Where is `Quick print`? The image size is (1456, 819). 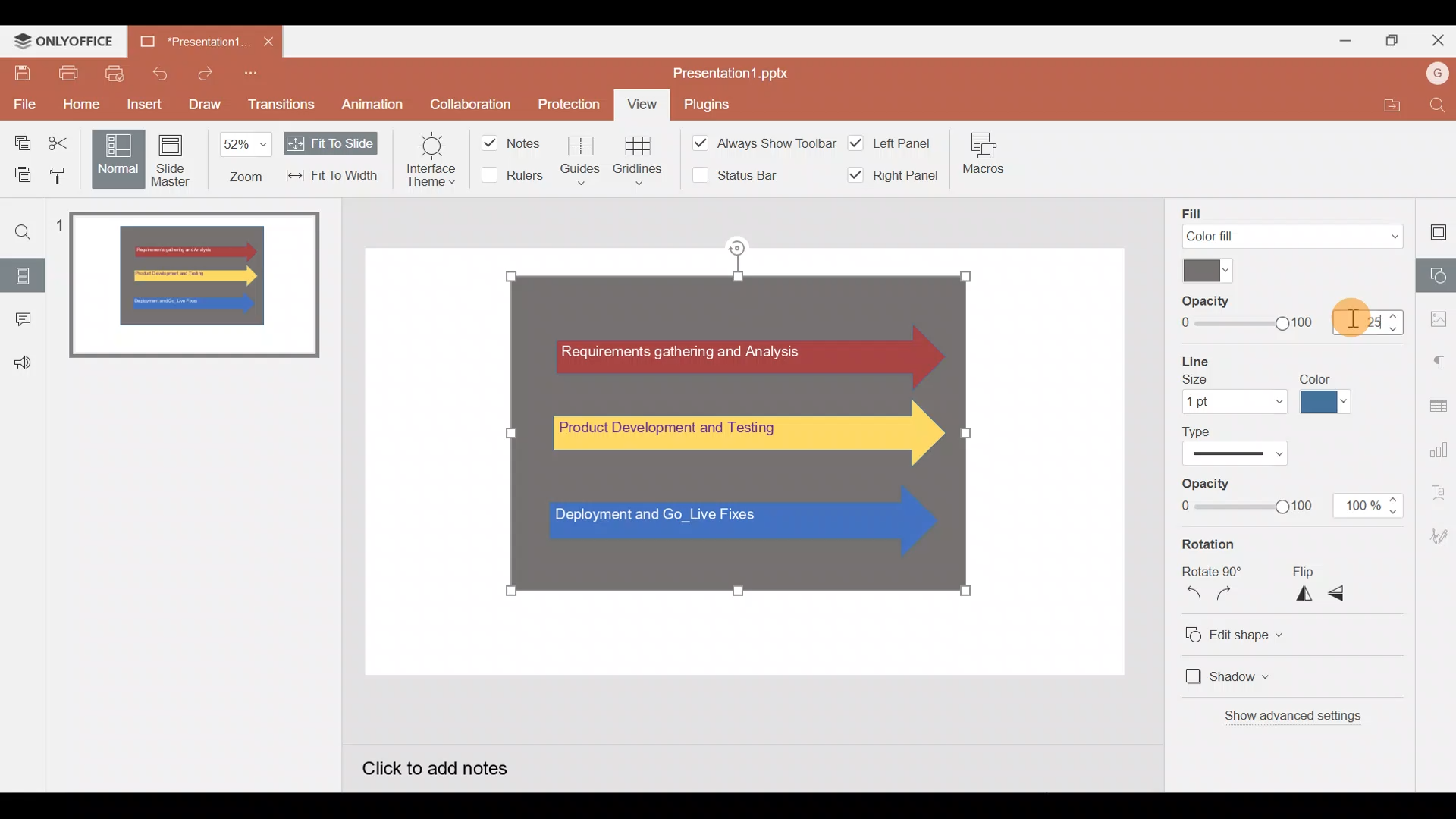
Quick print is located at coordinates (115, 74).